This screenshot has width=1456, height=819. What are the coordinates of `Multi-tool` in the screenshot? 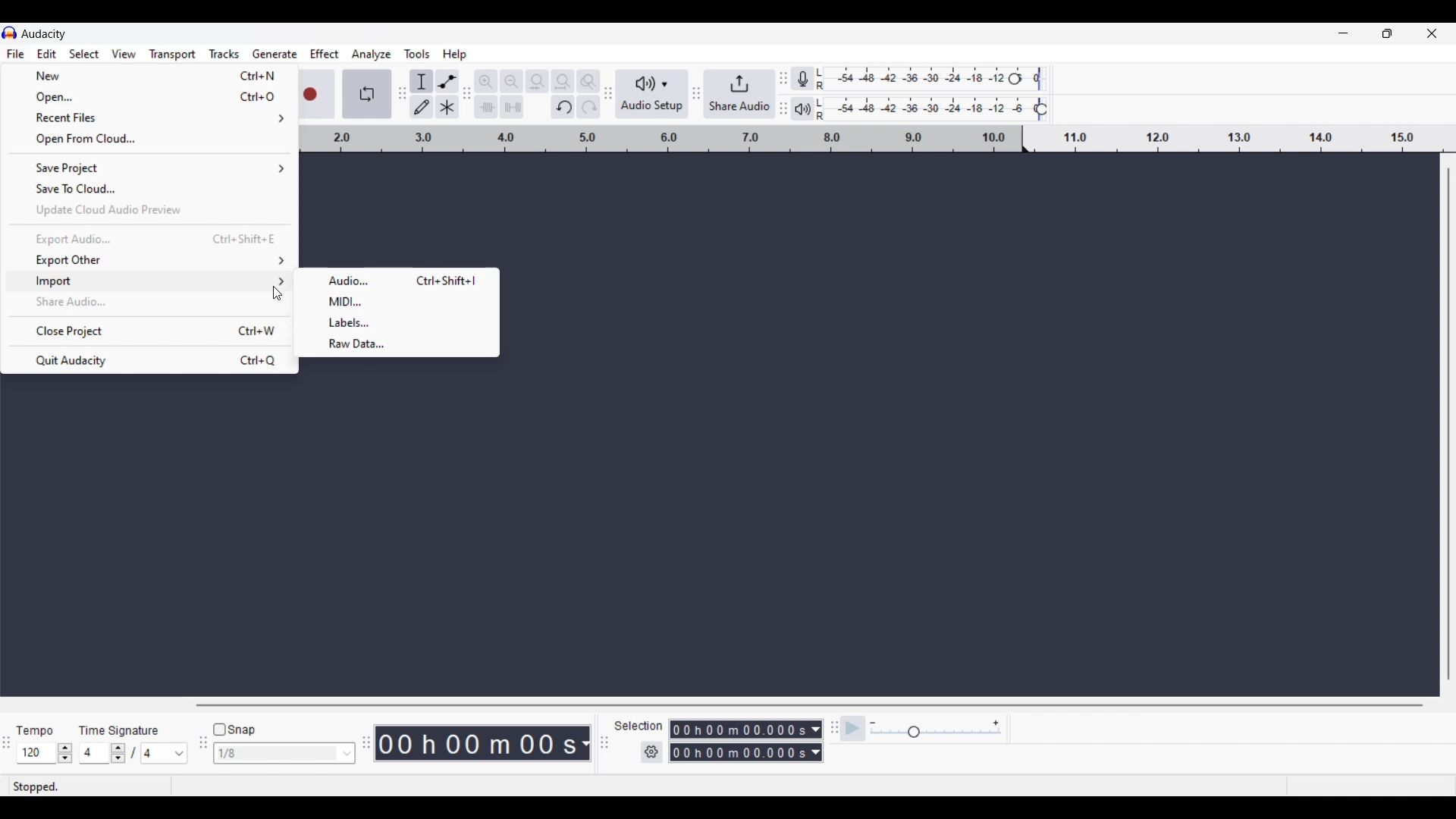 It's located at (447, 107).